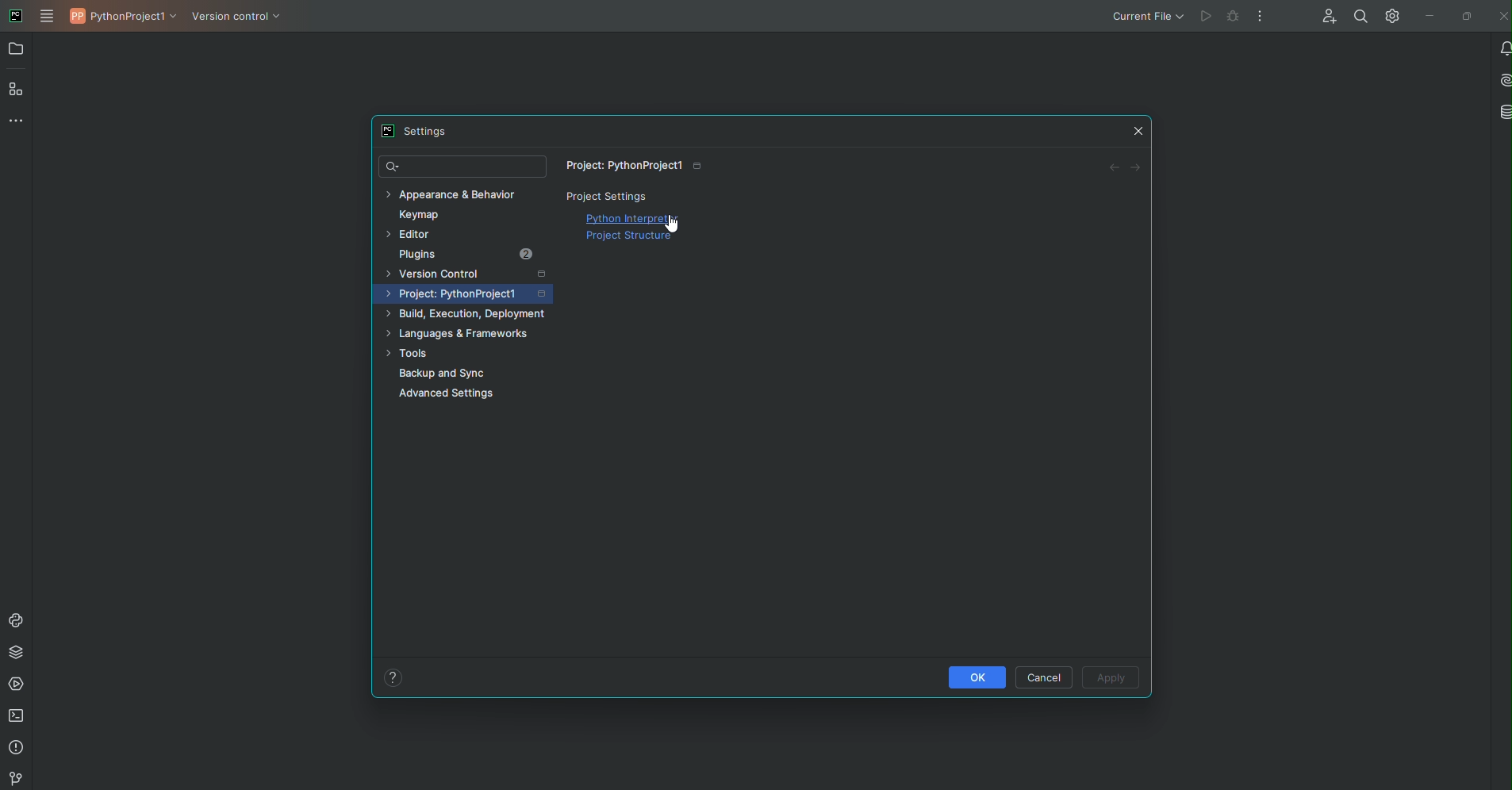 This screenshot has width=1512, height=790. What do you see at coordinates (673, 224) in the screenshot?
I see `Cursor on Python Interpreter` at bounding box center [673, 224].